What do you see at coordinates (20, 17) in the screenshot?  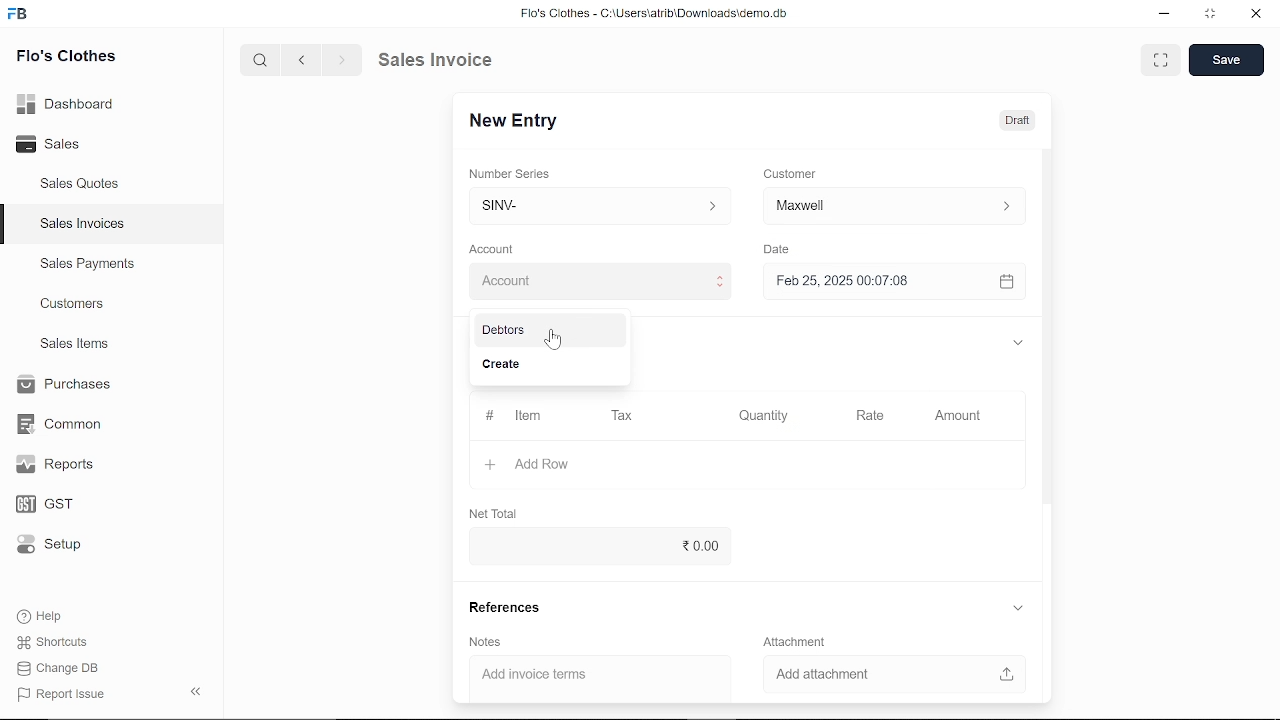 I see `frappe books logo` at bounding box center [20, 17].